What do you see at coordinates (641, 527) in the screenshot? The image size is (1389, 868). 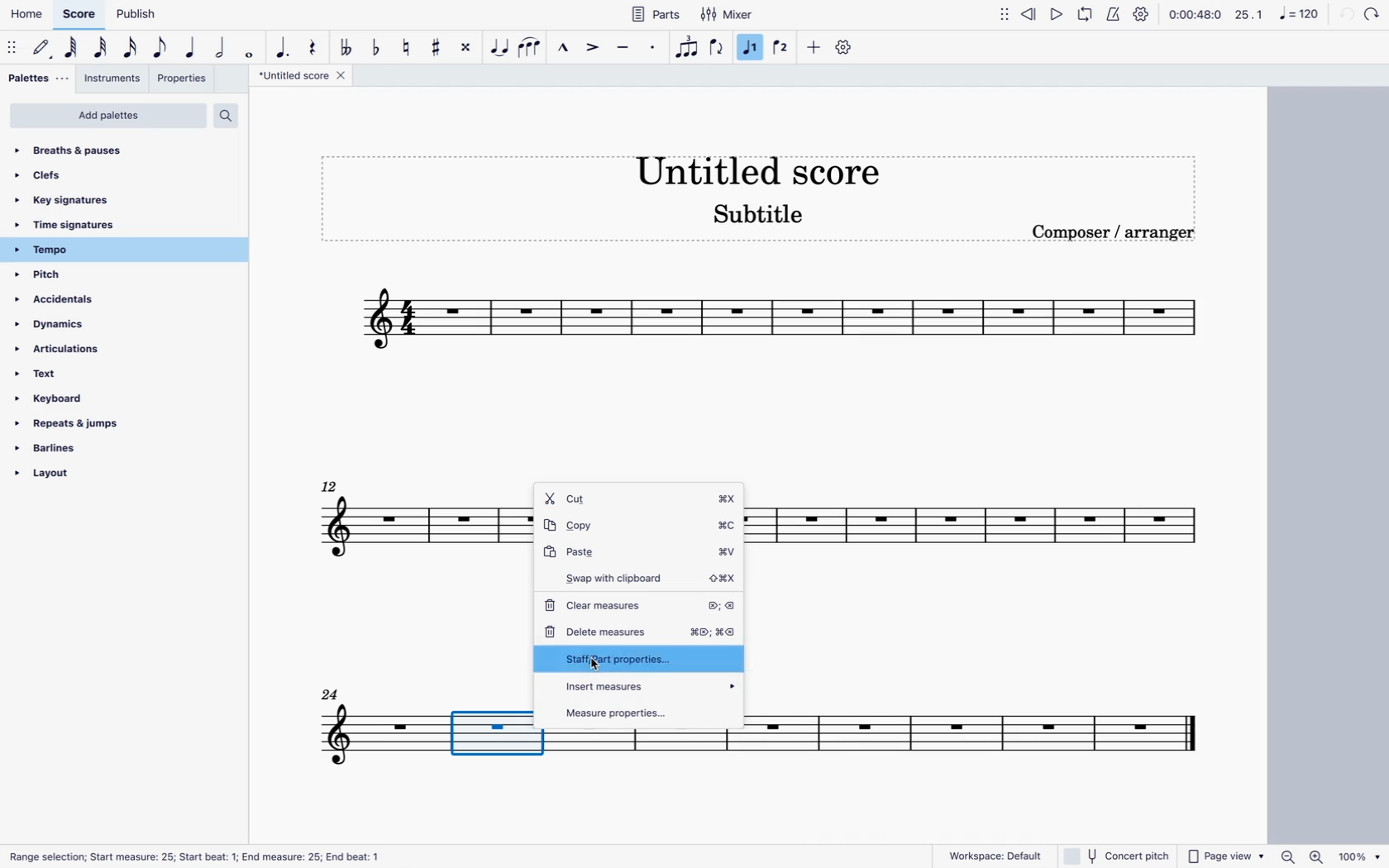 I see `copy` at bounding box center [641, 527].